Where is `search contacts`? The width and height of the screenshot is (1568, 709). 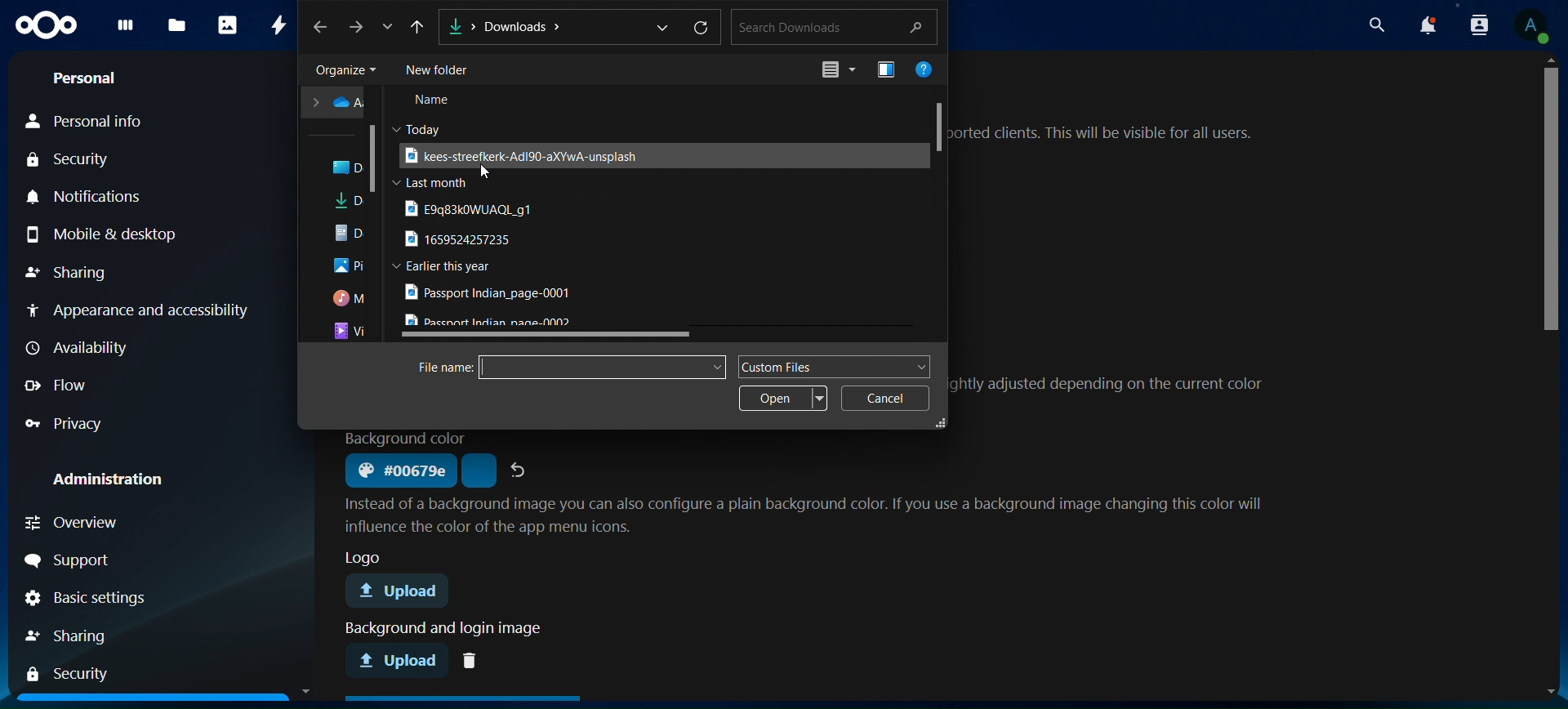 search contacts is located at coordinates (1477, 27).